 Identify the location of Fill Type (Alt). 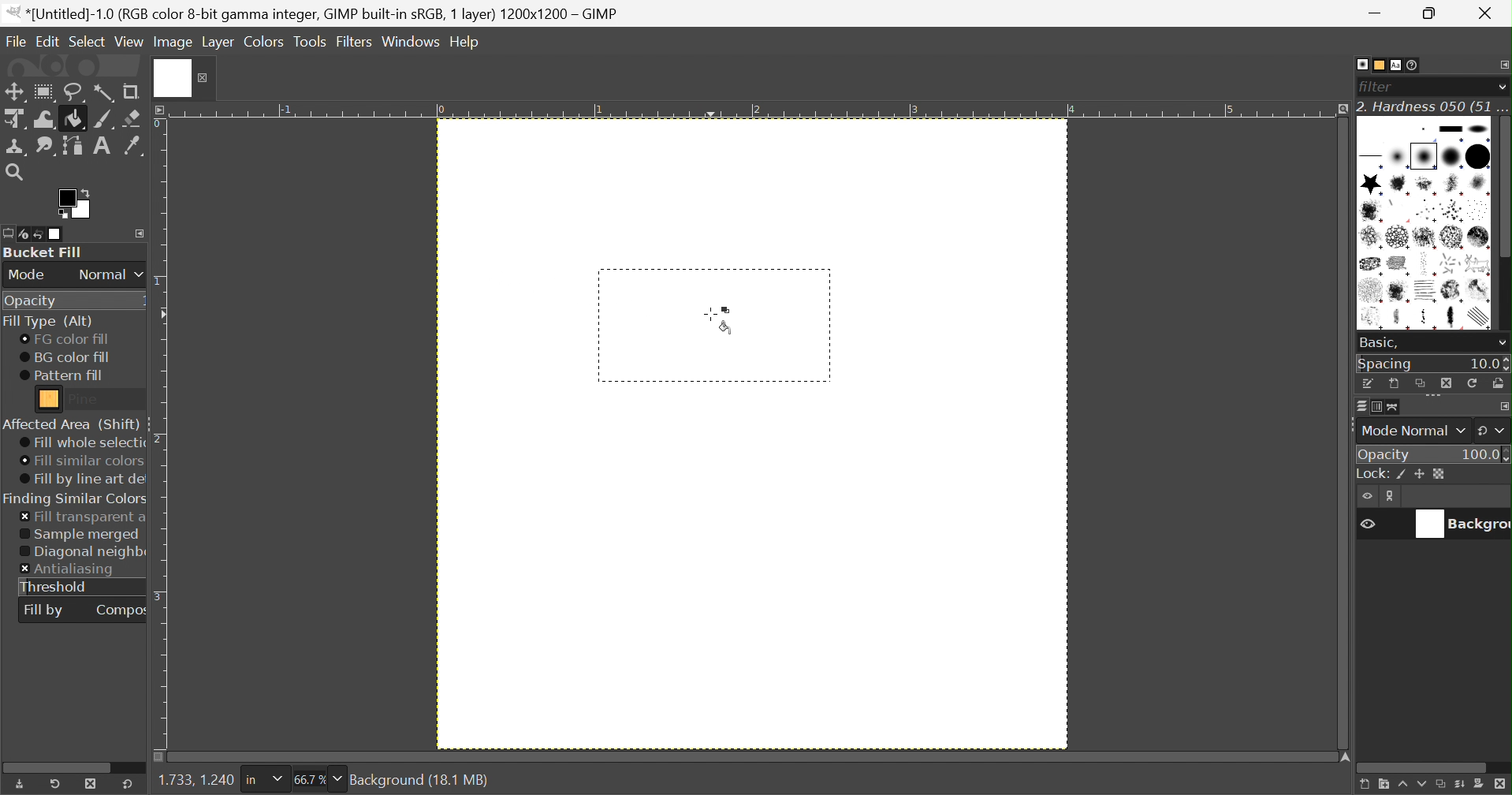
(47, 322).